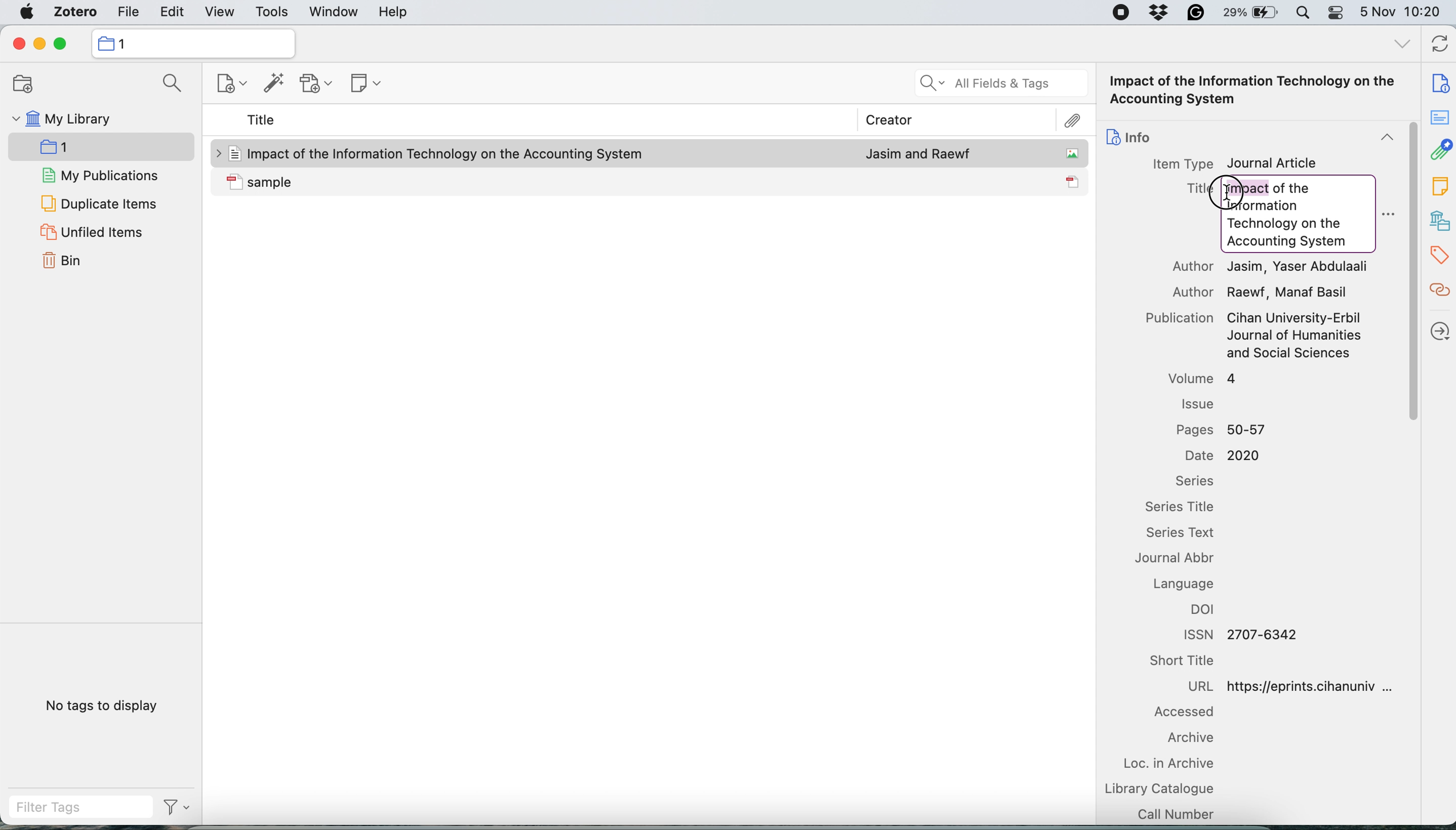 This screenshot has width=1456, height=830. Describe the element at coordinates (1196, 13) in the screenshot. I see `grammarly` at that location.